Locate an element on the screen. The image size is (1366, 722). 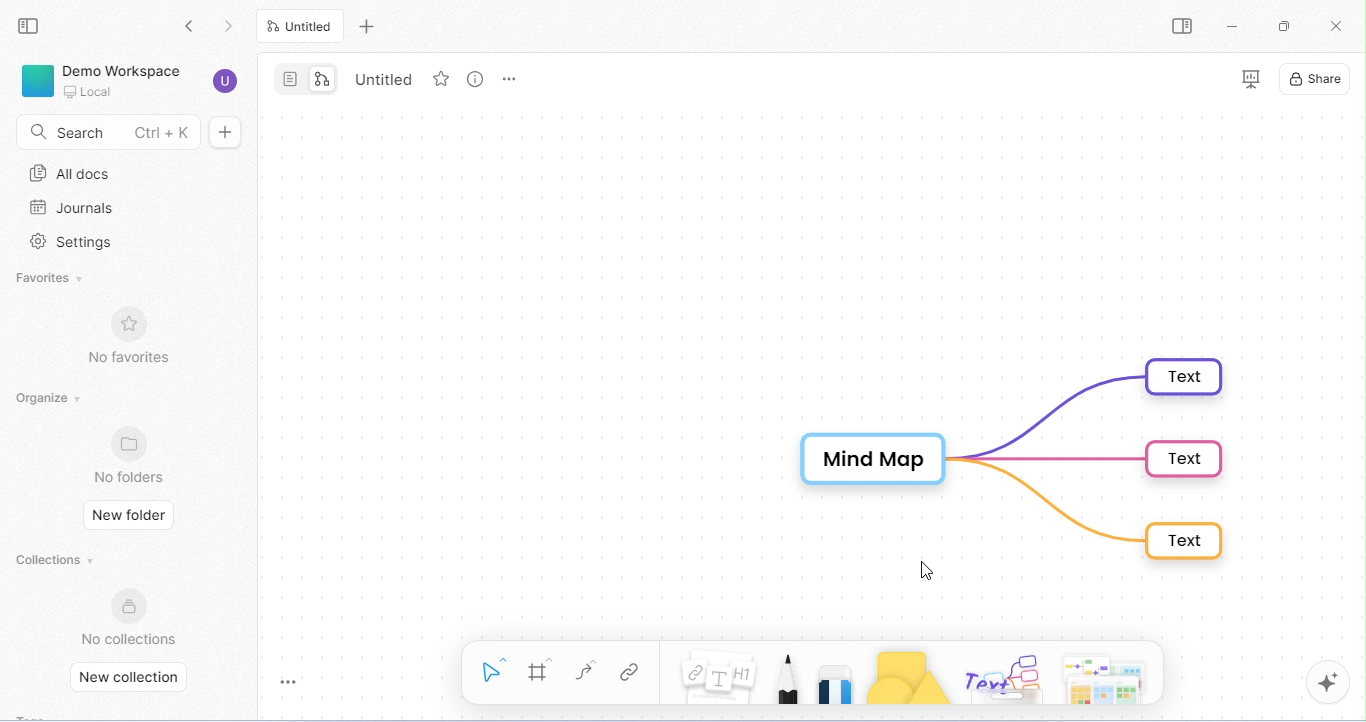
go forward is located at coordinates (230, 24).